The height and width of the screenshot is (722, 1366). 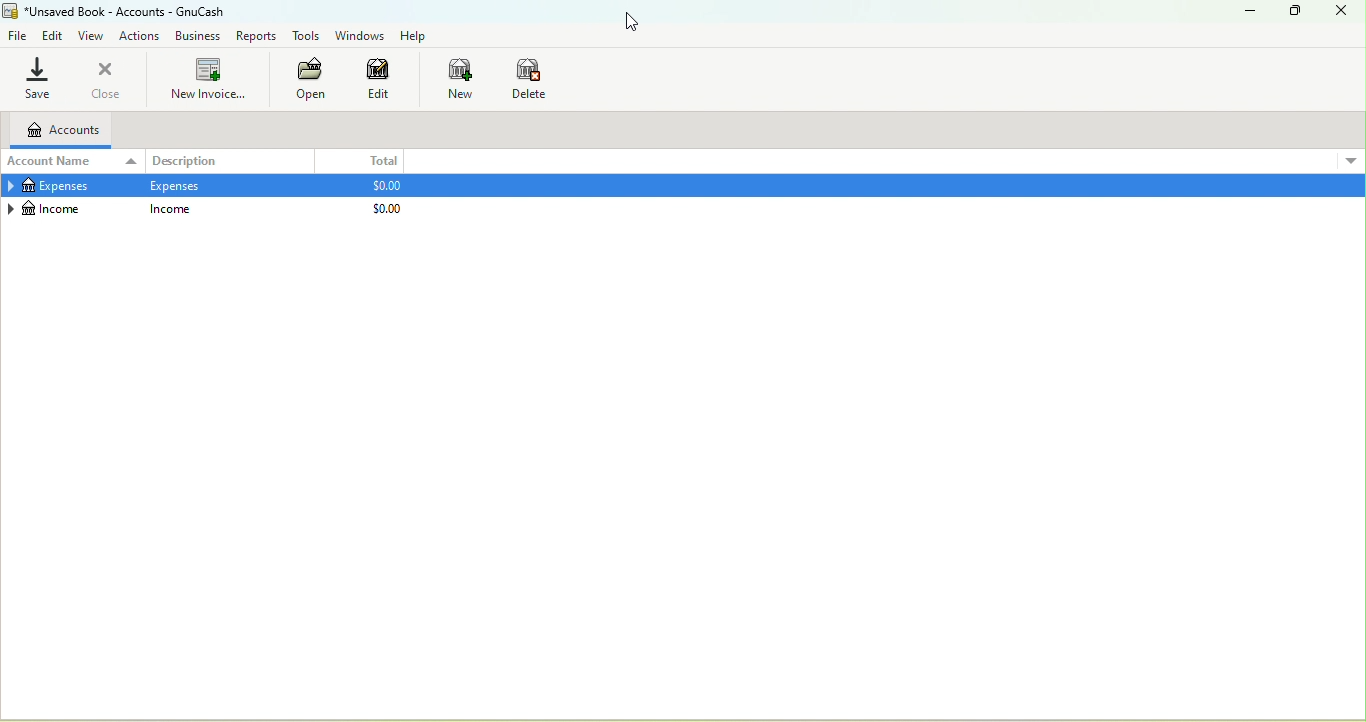 I want to click on Open, so click(x=309, y=80).